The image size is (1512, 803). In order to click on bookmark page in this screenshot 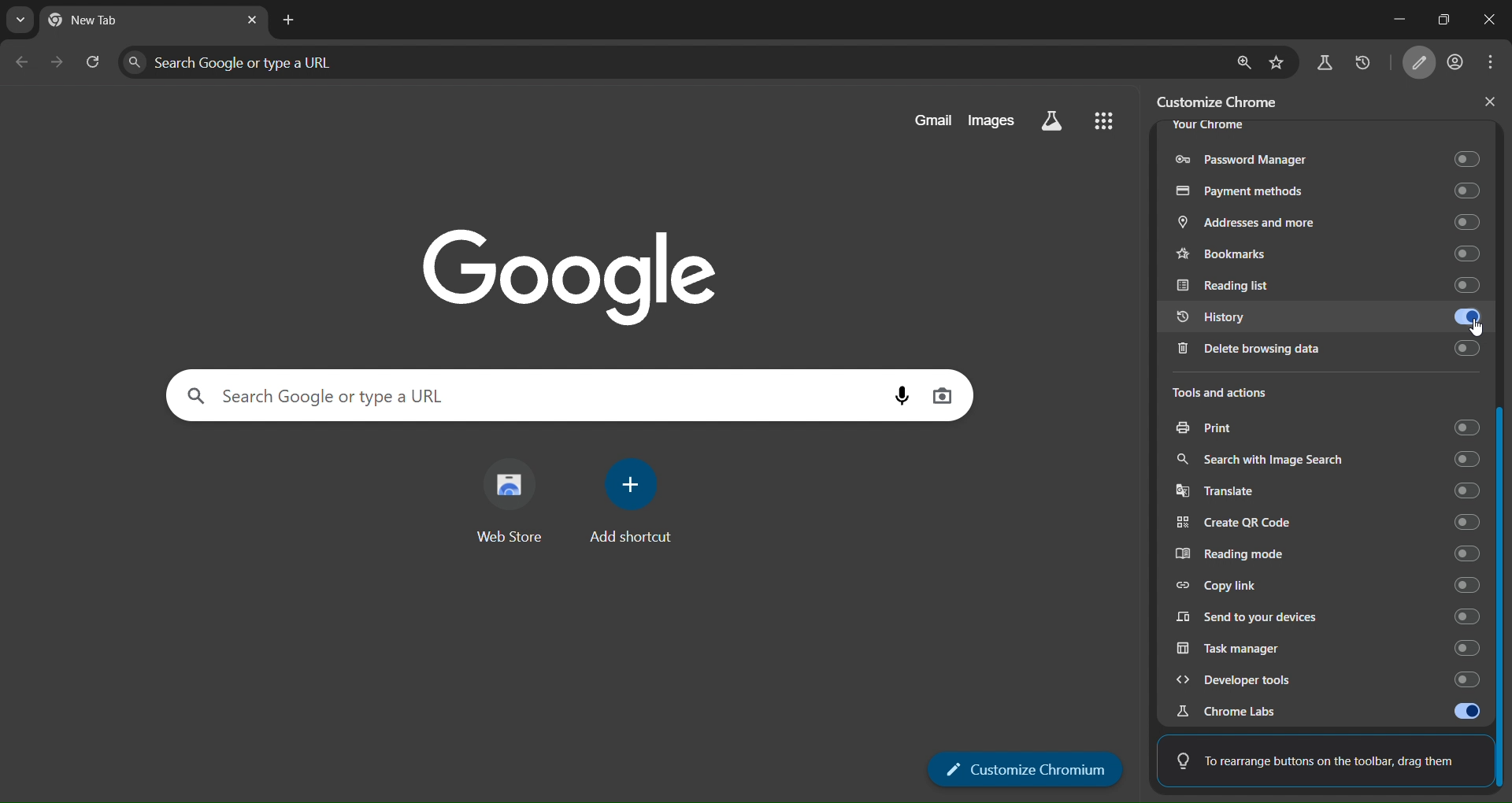, I will do `click(1279, 61)`.